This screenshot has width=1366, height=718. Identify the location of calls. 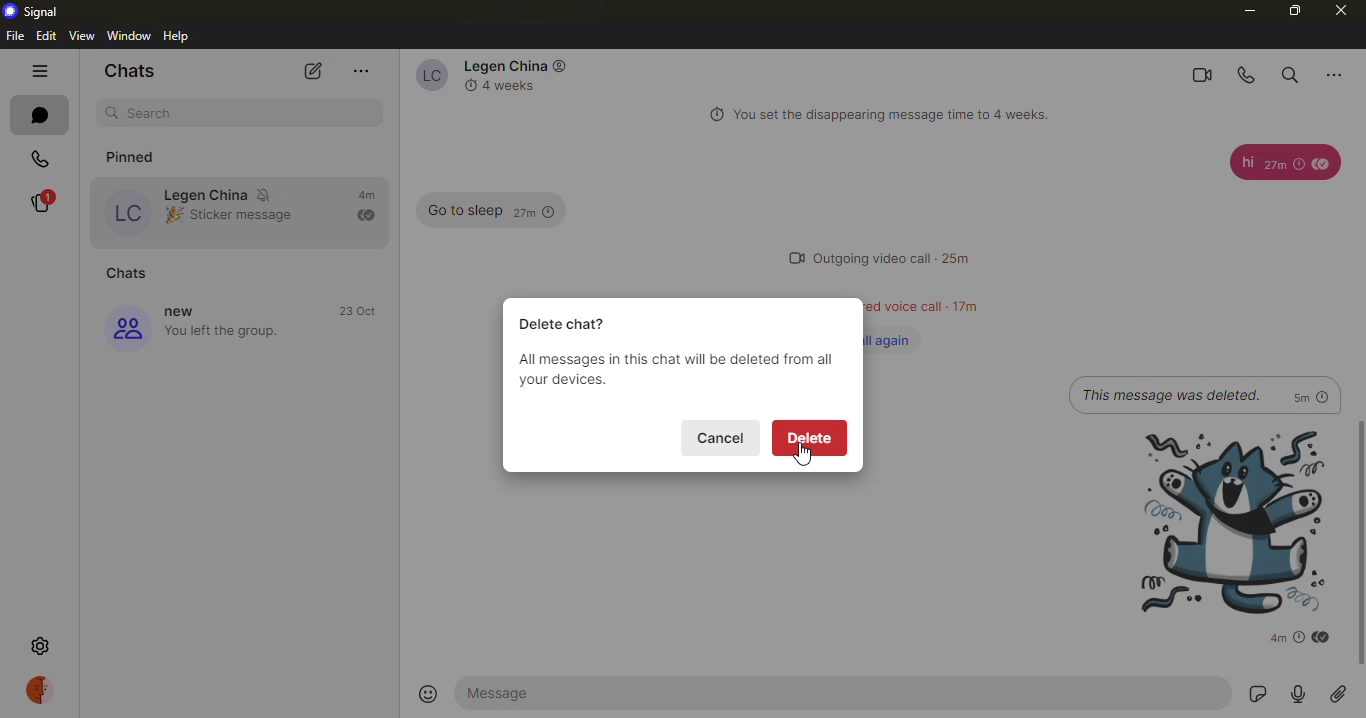
(40, 158).